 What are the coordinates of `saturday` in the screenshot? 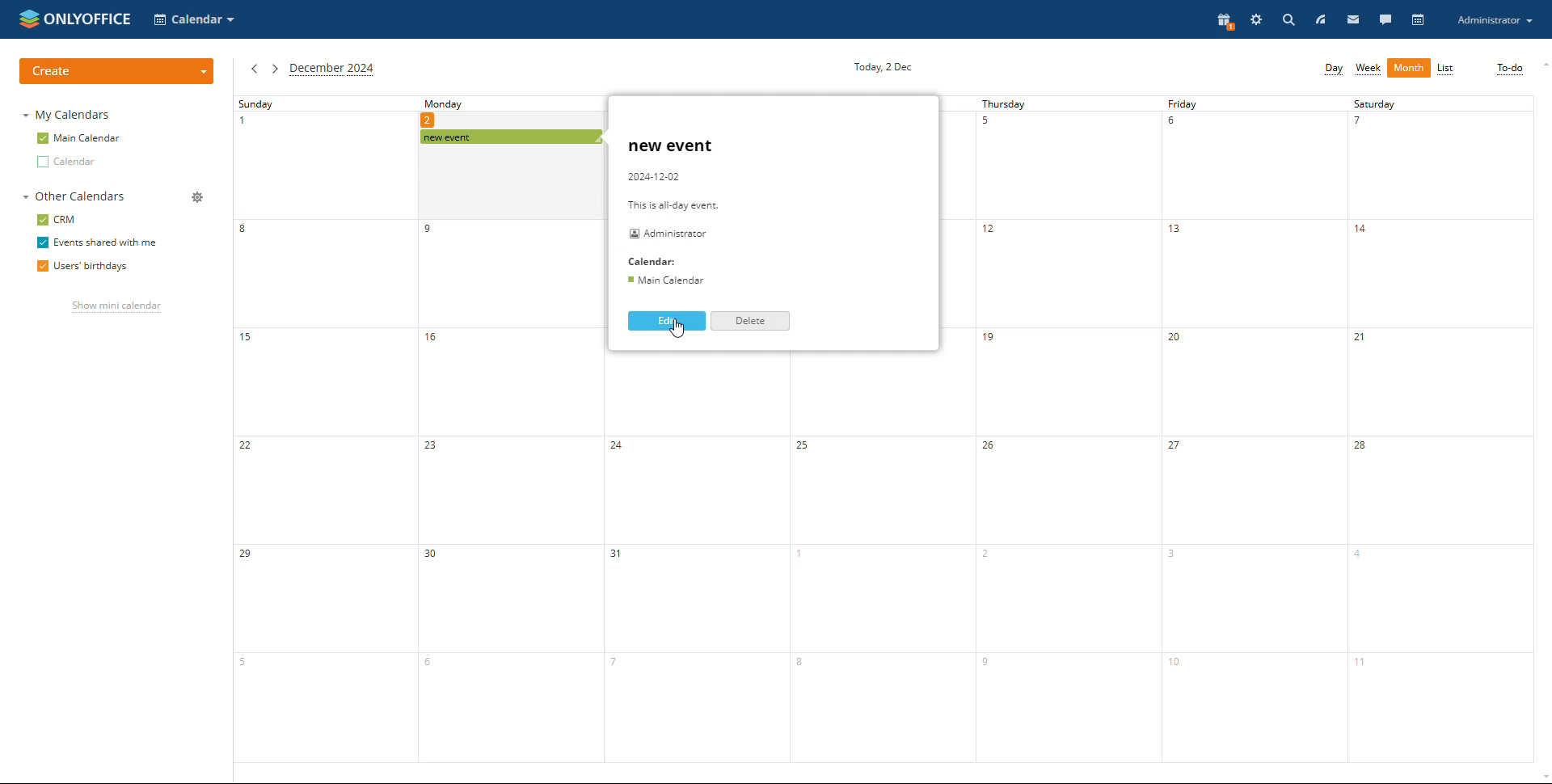 It's located at (1443, 429).